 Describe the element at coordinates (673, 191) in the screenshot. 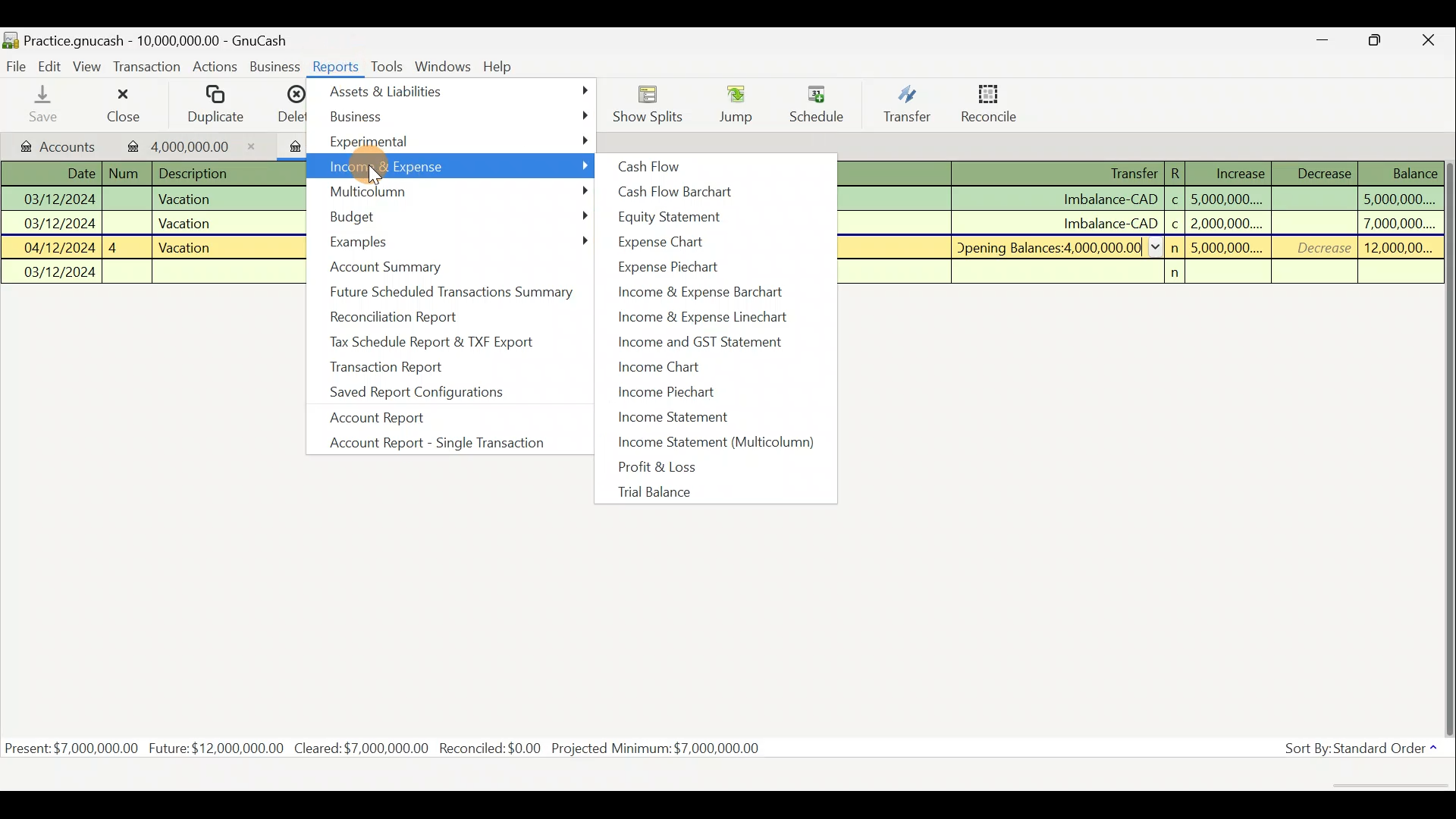

I see `Cash flow barchart` at that location.